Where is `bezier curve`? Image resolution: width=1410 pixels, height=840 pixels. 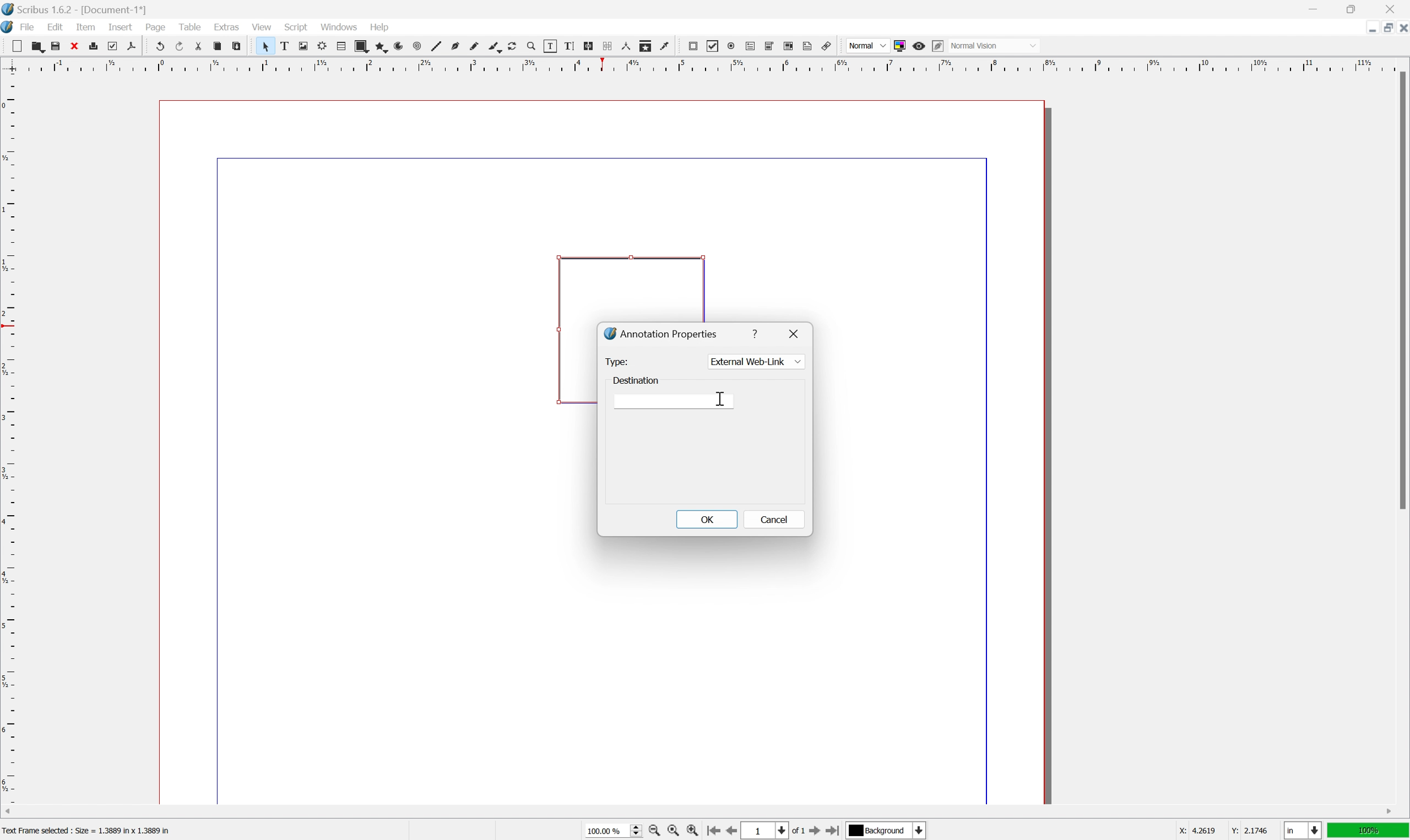
bezier curve is located at coordinates (455, 46).